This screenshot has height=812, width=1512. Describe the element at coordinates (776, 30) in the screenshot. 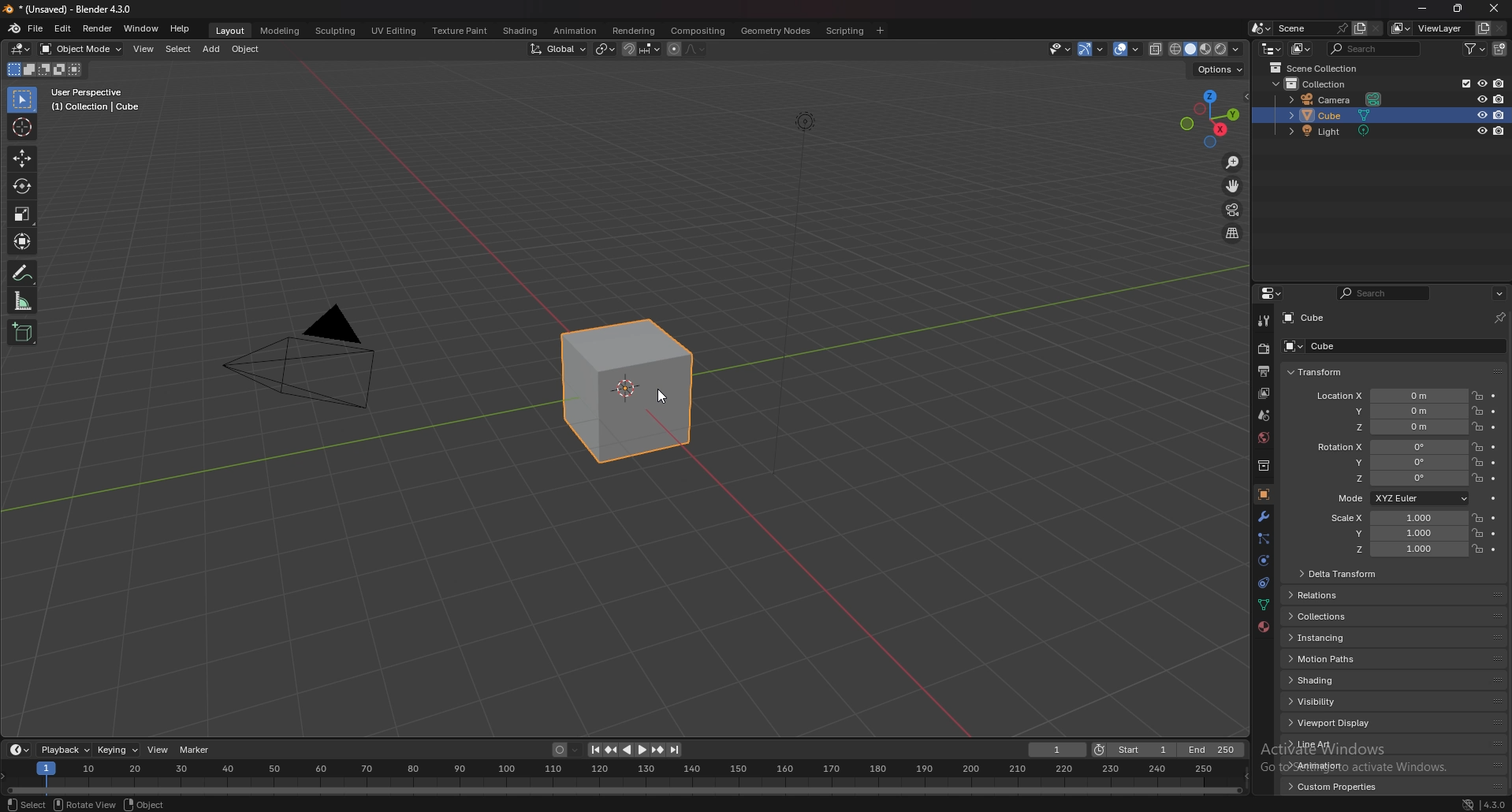

I see `geometry nodes` at that location.